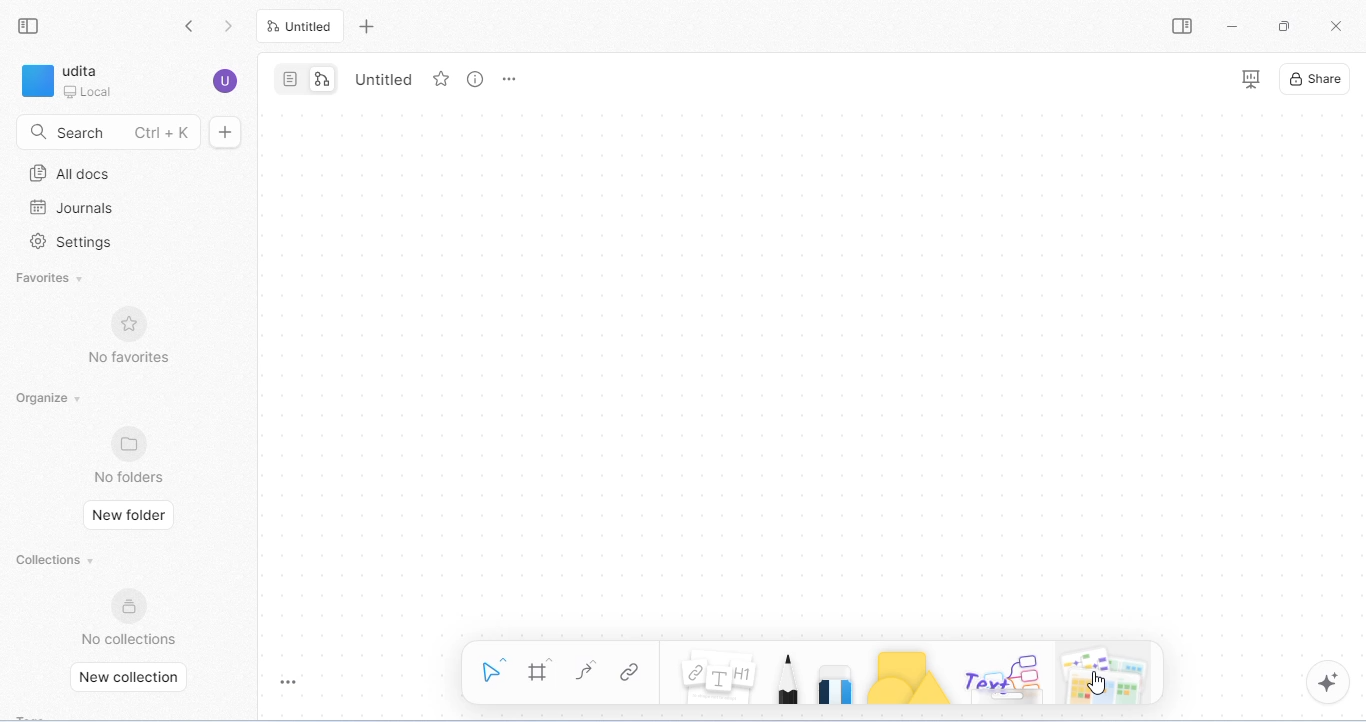 This screenshot has width=1366, height=722. What do you see at coordinates (71, 208) in the screenshot?
I see `journals` at bounding box center [71, 208].